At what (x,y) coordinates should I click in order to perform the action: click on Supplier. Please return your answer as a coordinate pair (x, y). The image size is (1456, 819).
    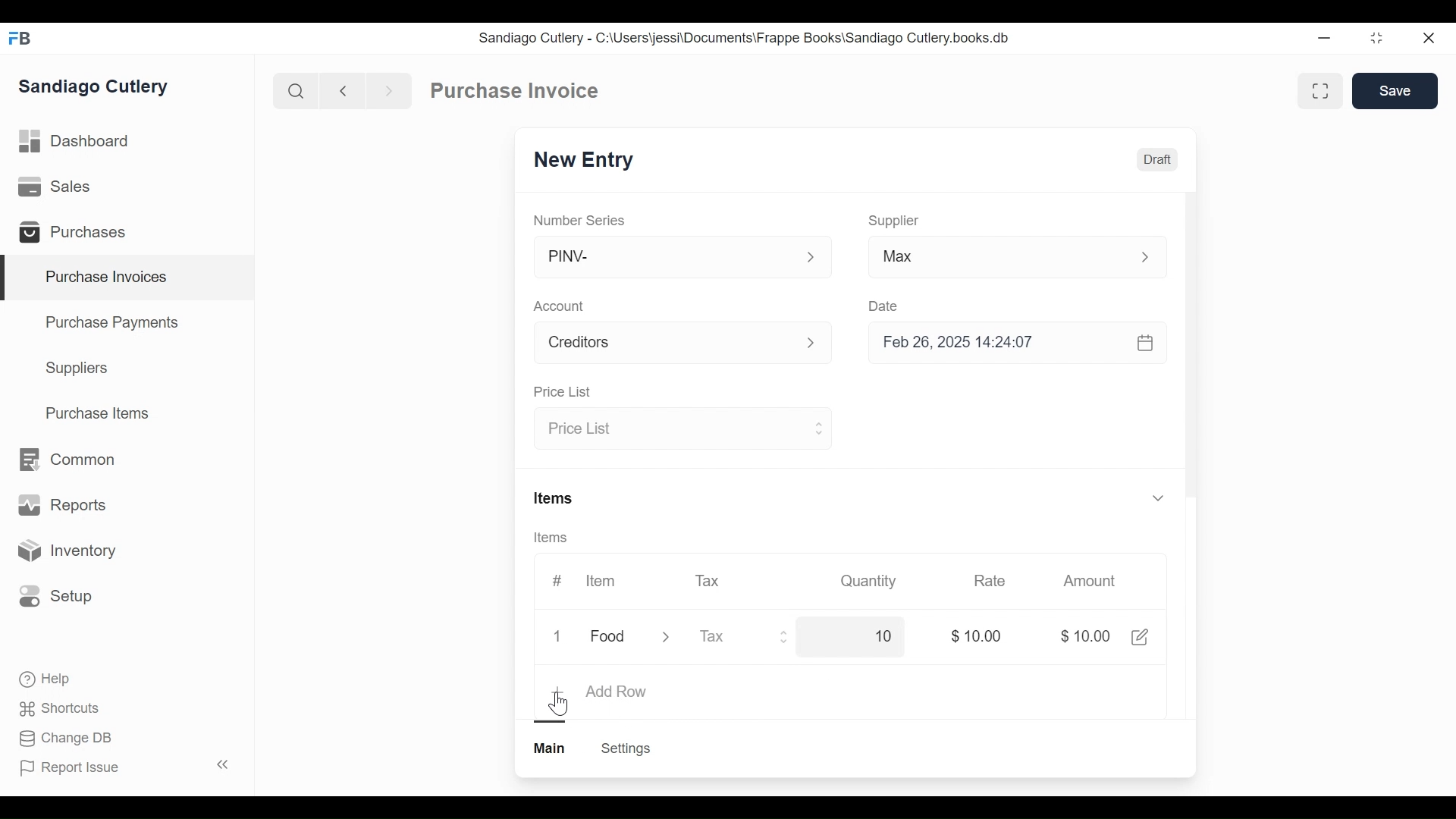
    Looking at the image, I should click on (894, 221).